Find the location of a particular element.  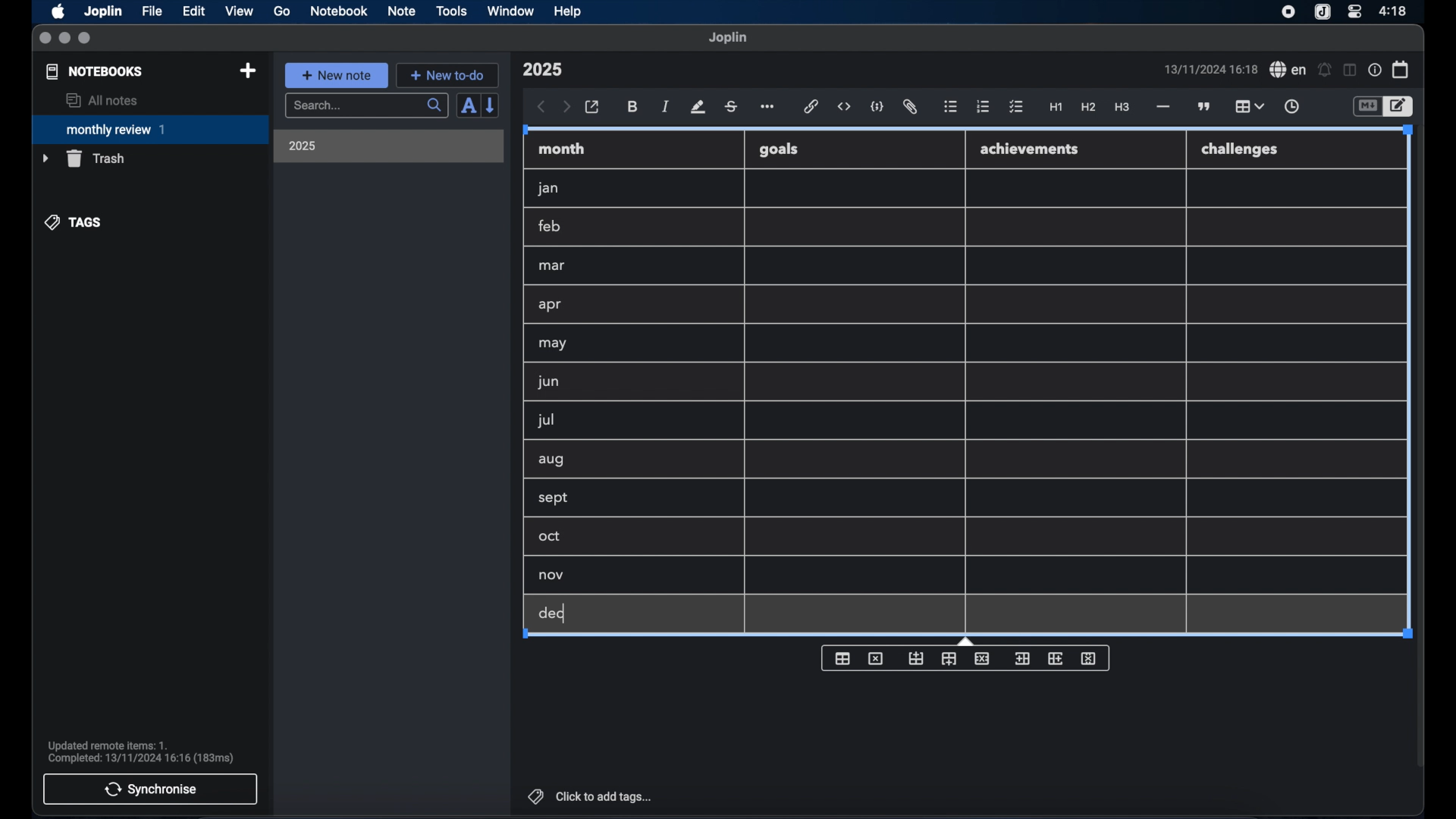

note title is located at coordinates (542, 70).